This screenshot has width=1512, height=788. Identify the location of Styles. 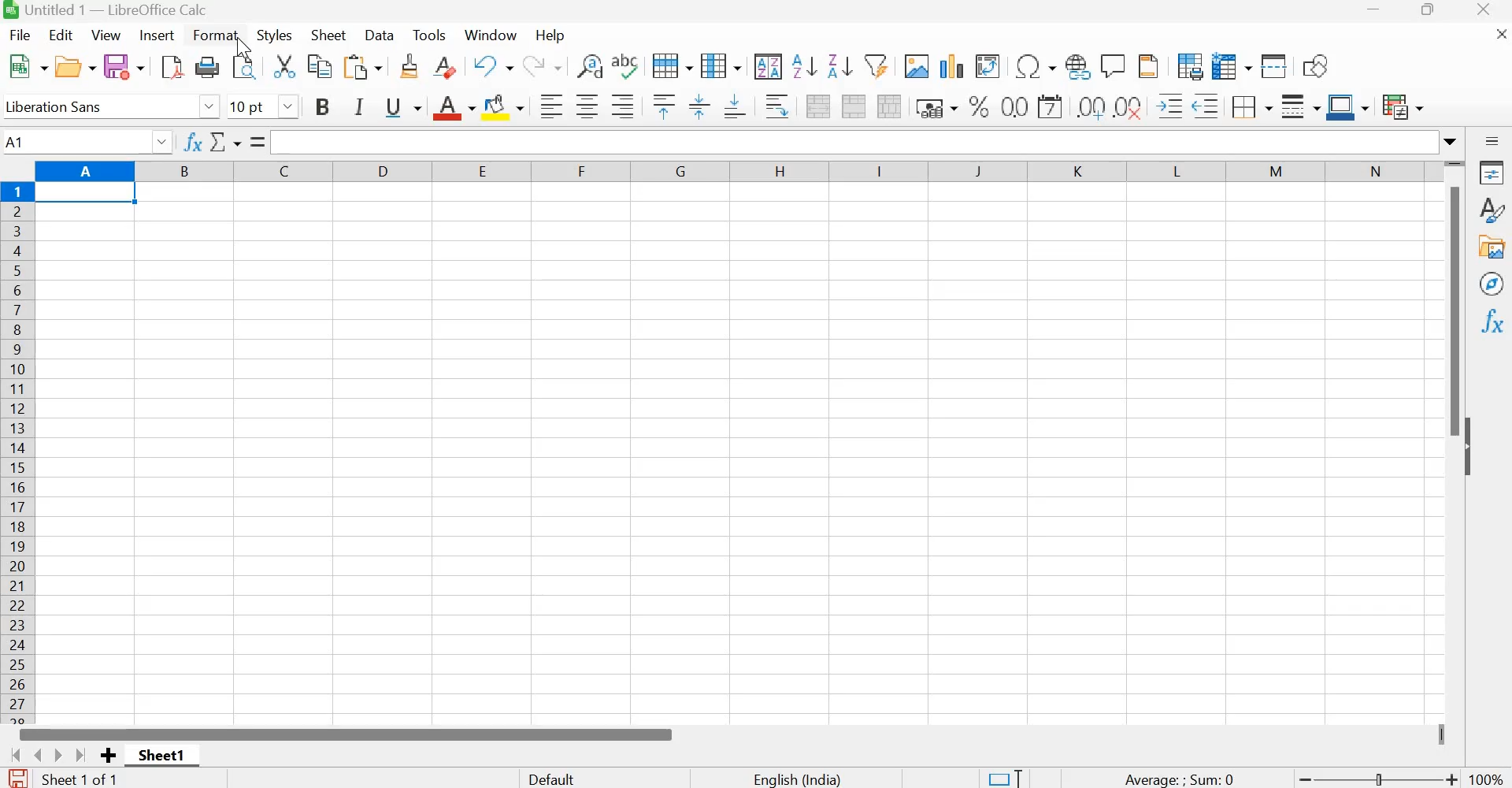
(274, 36).